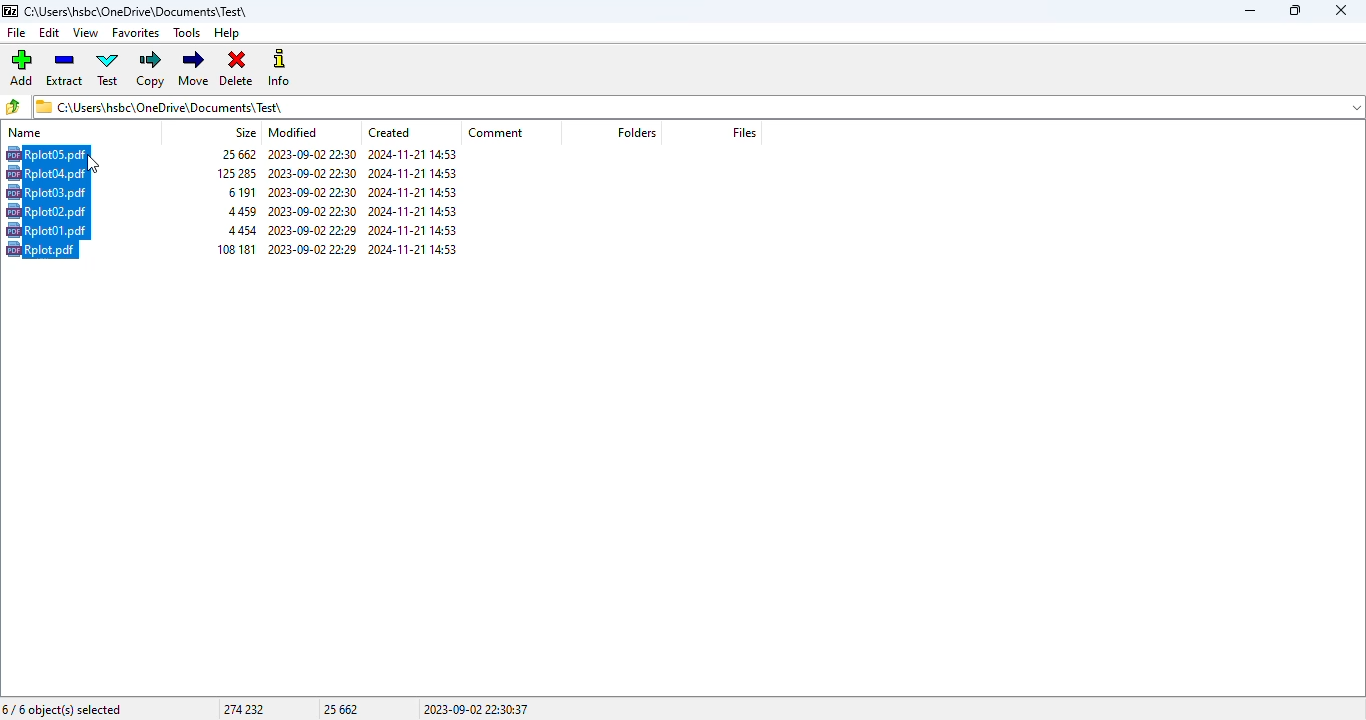 The image size is (1366, 720). Describe the element at coordinates (698, 106) in the screenshot. I see `current folder` at that location.